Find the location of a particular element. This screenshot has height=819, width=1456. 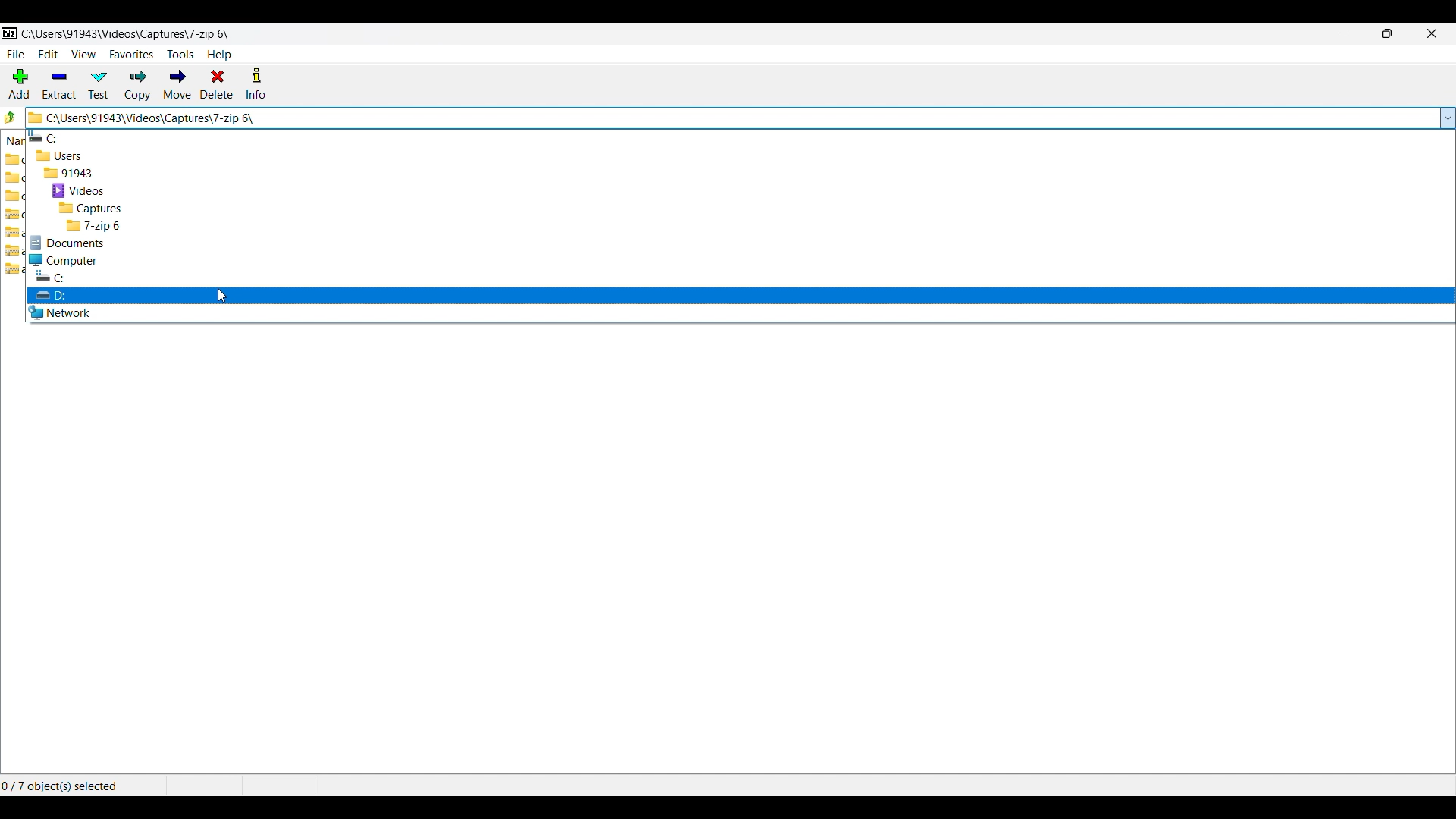

Users folder is located at coordinates (740, 155).